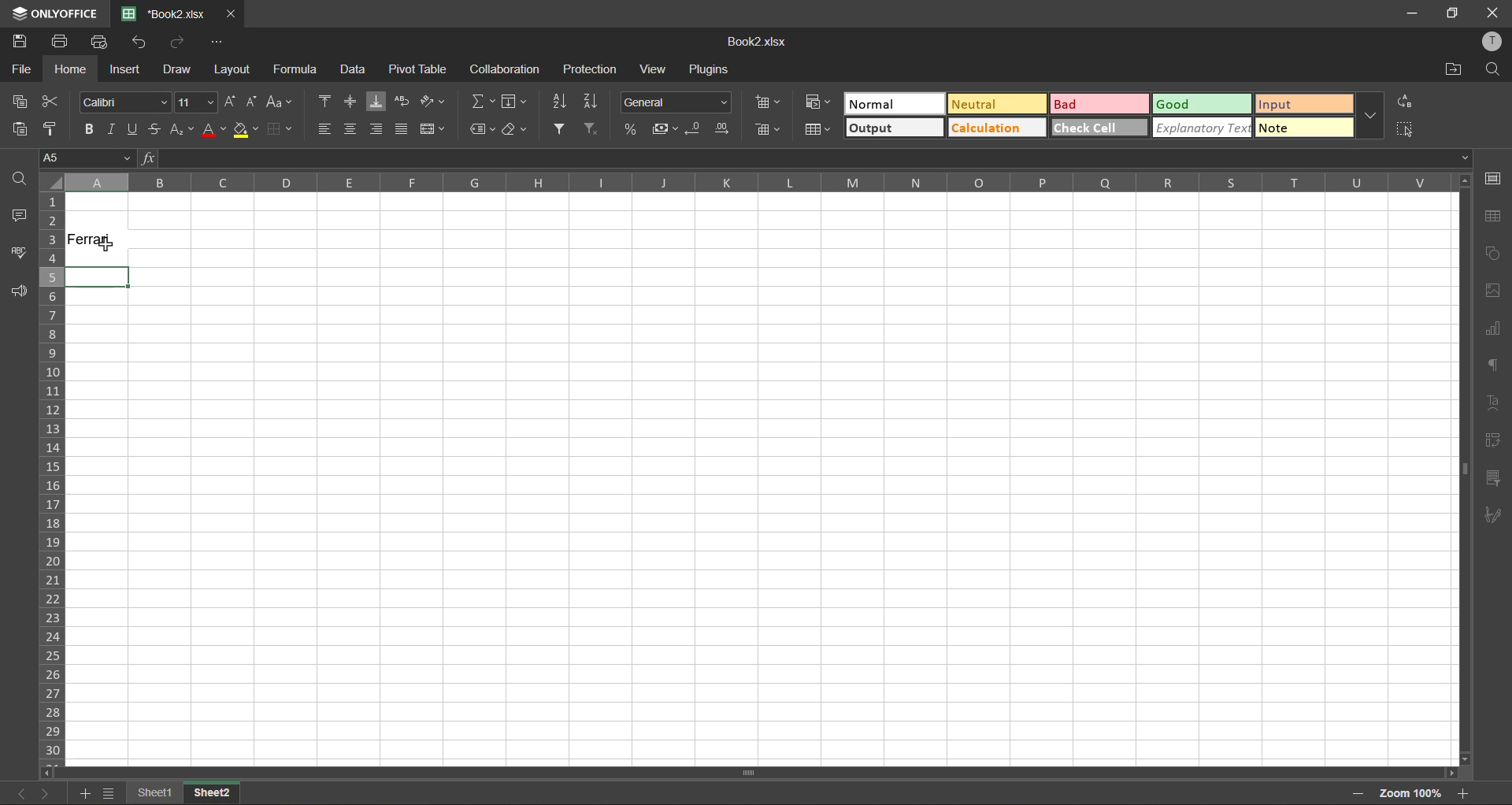 The height and width of the screenshot is (805, 1512). Describe the element at coordinates (663, 129) in the screenshot. I see `accounting` at that location.